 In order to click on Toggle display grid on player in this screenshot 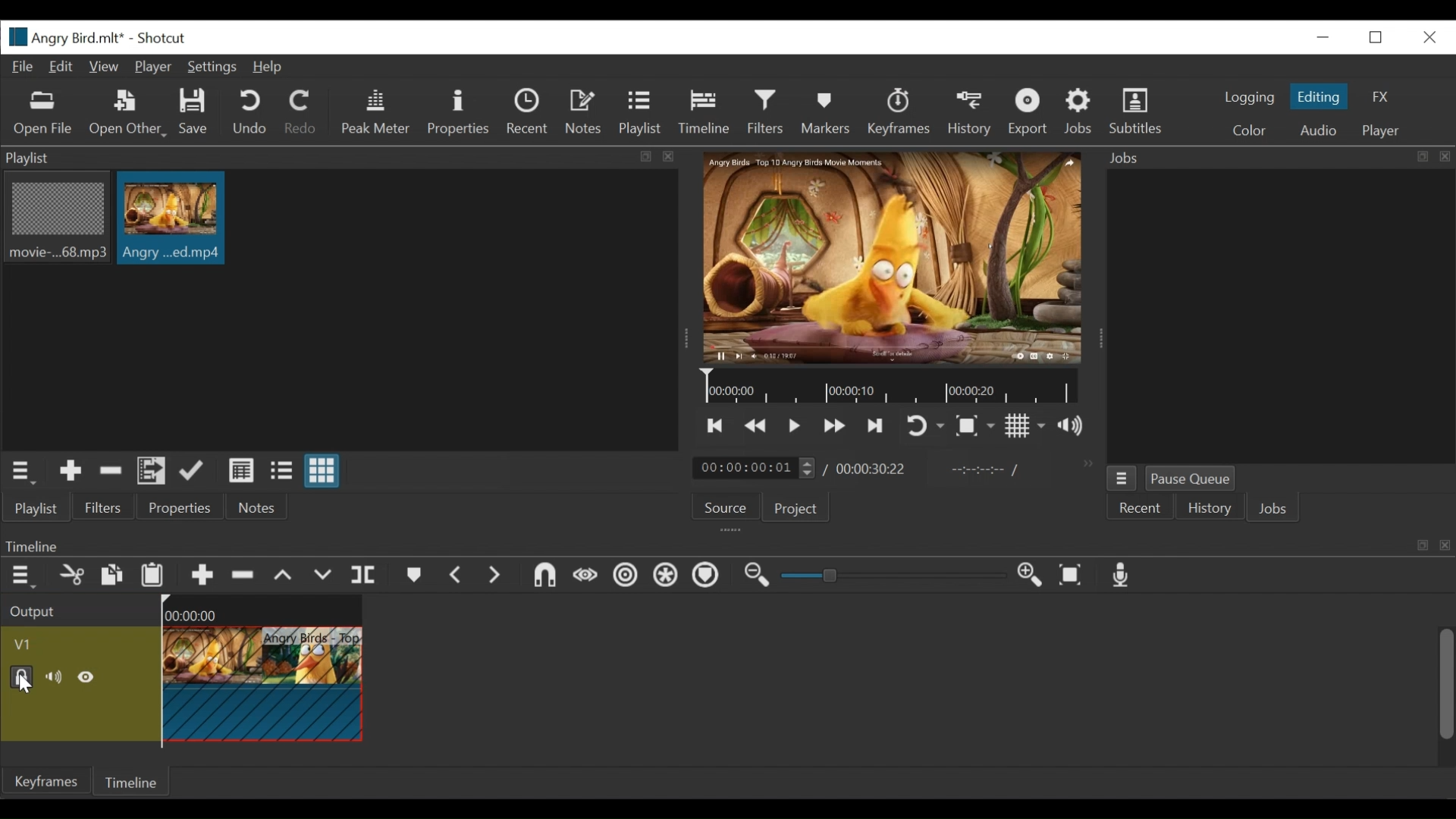, I will do `click(1027, 427)`.